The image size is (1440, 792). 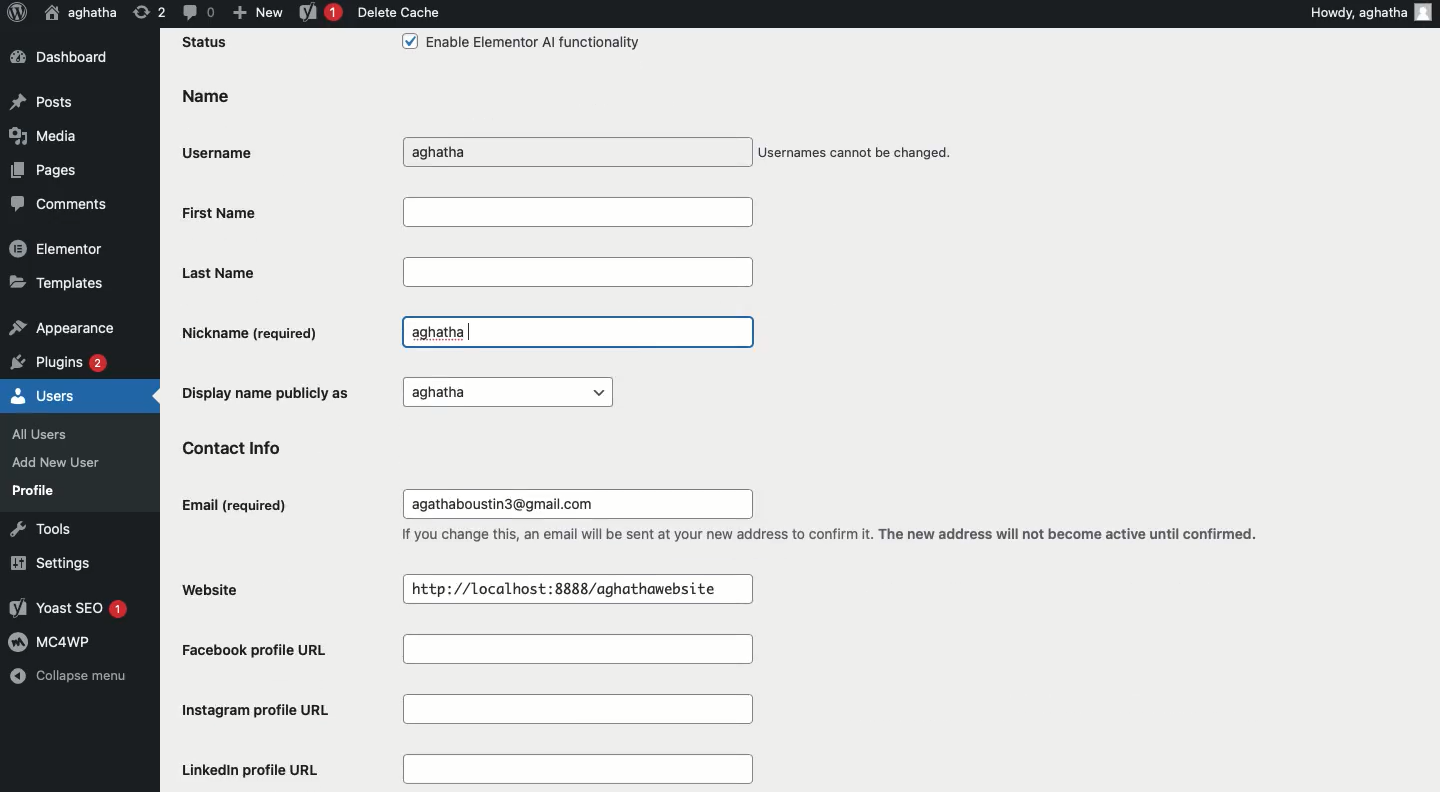 I want to click on Facebook profile URL, so click(x=475, y=652).